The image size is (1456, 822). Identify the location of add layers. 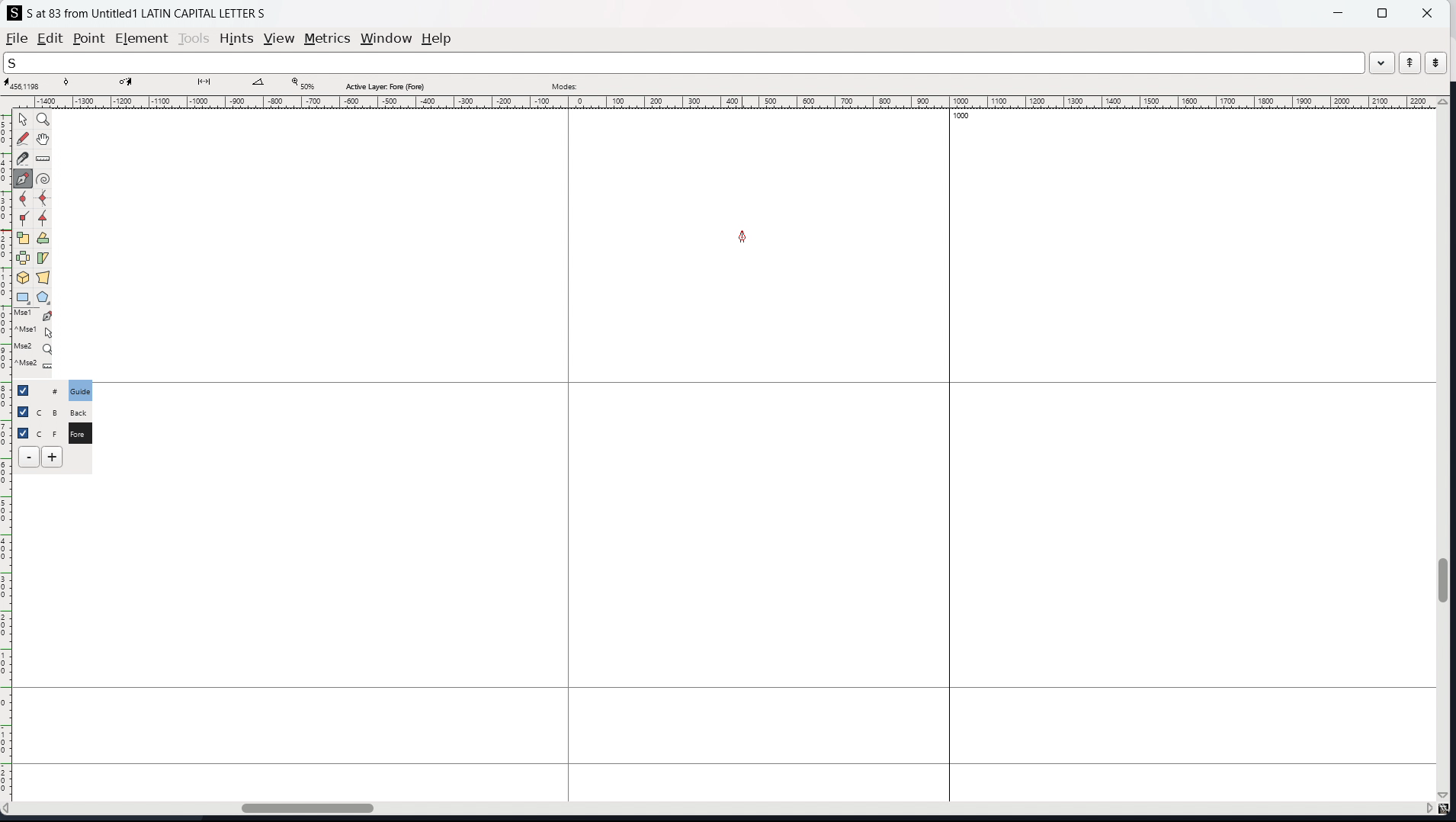
(52, 457).